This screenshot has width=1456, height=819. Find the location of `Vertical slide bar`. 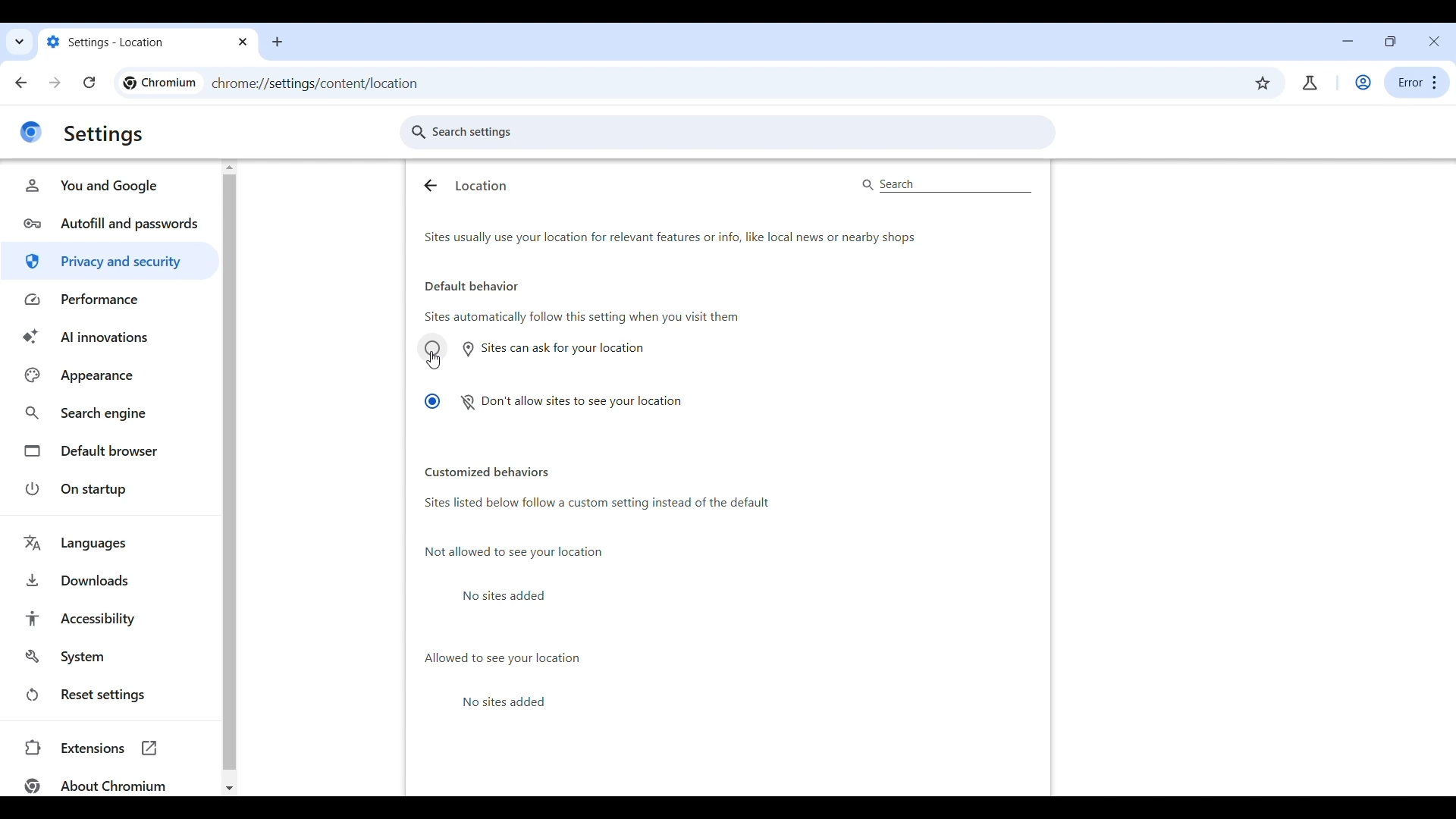

Vertical slide bar is located at coordinates (1447, 347).